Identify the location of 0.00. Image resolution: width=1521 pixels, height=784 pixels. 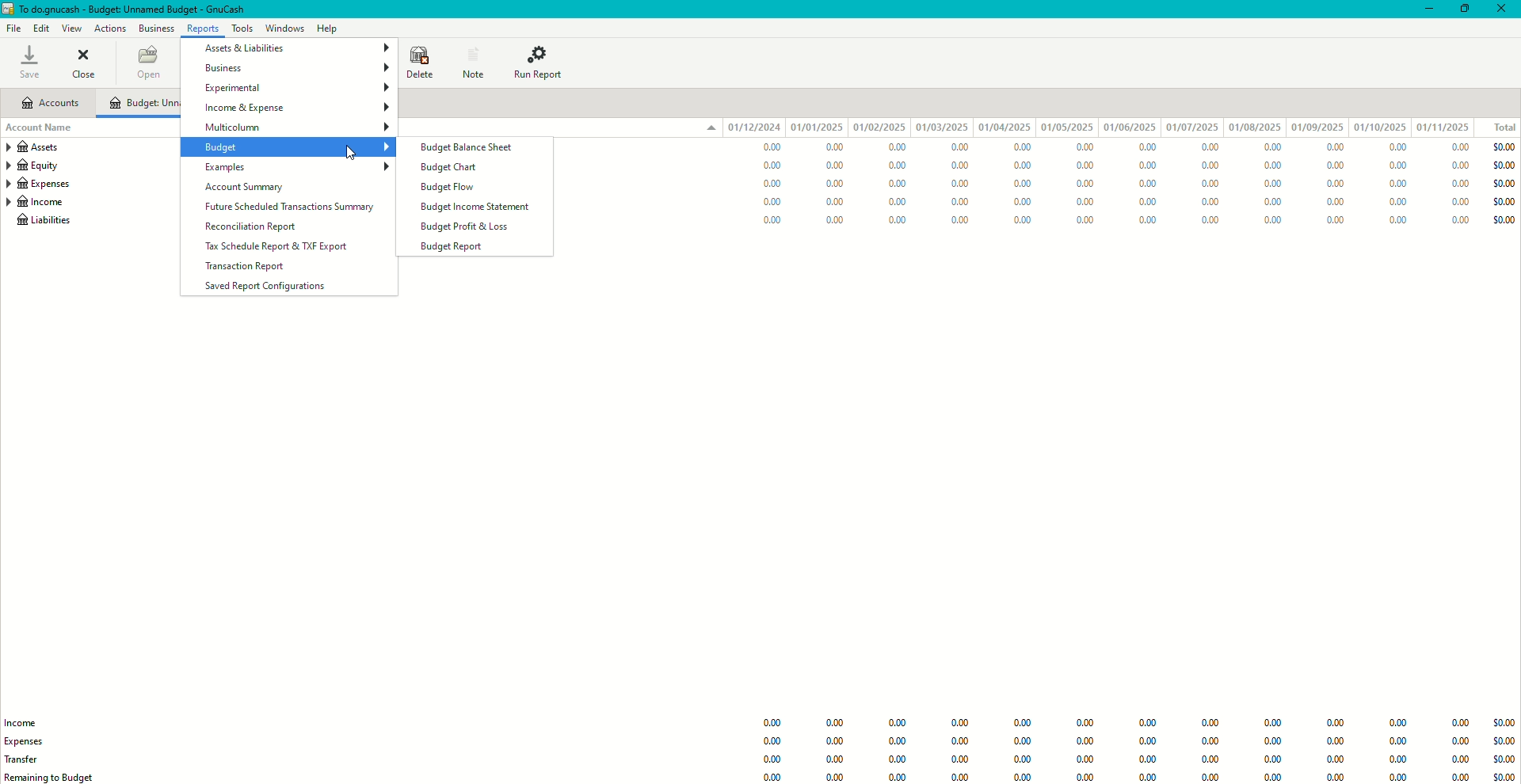
(774, 741).